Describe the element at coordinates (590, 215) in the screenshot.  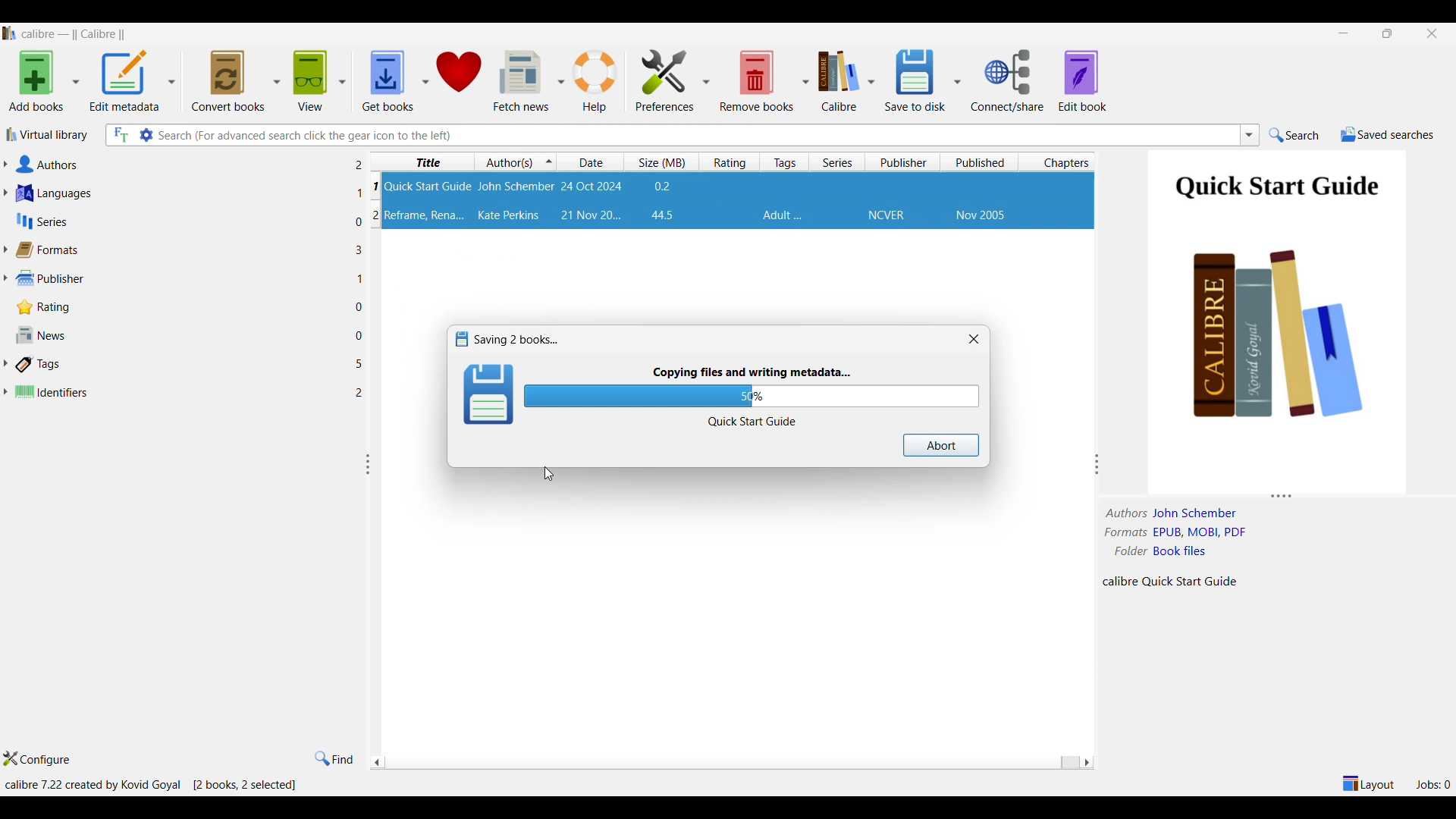
I see `date` at that location.